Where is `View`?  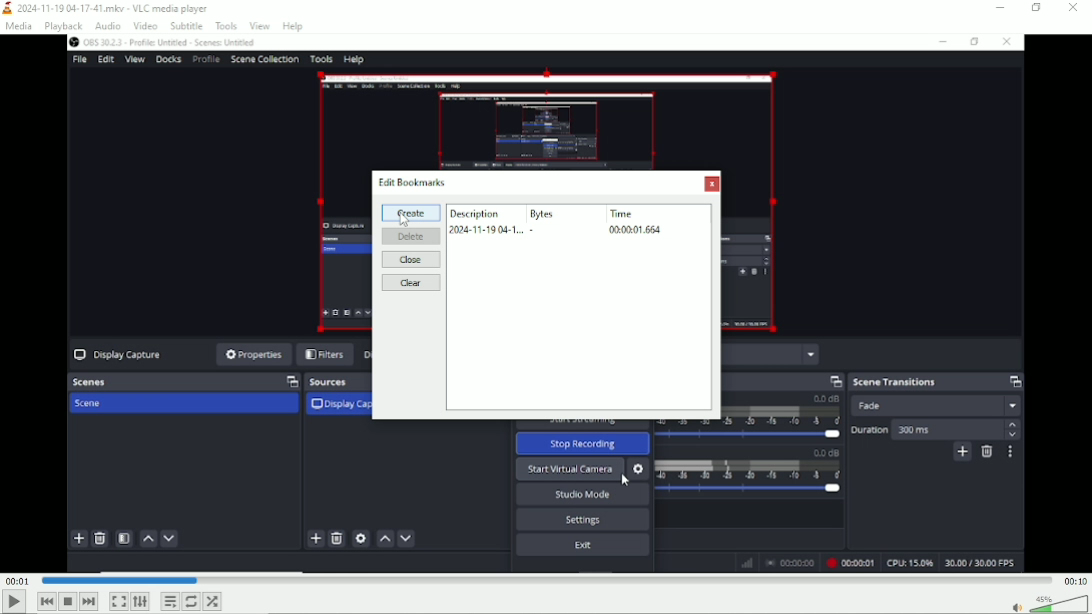
View is located at coordinates (258, 26).